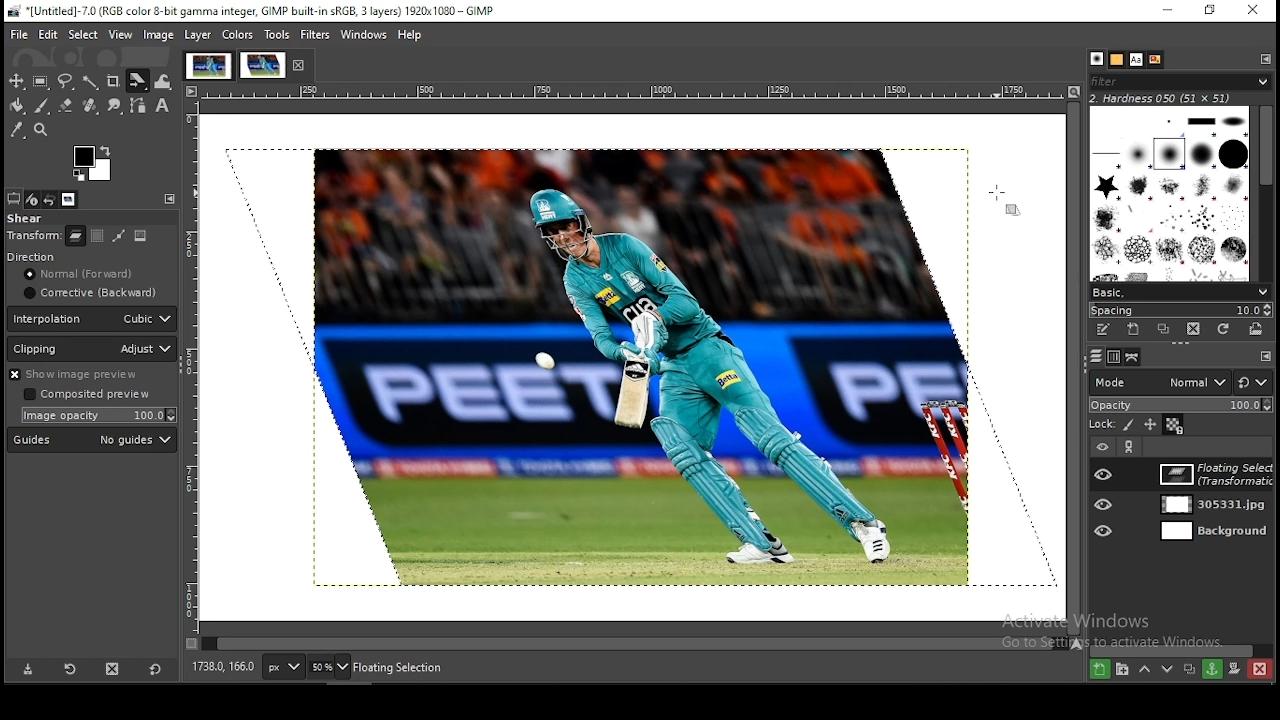  I want to click on delete layer, so click(1261, 669).